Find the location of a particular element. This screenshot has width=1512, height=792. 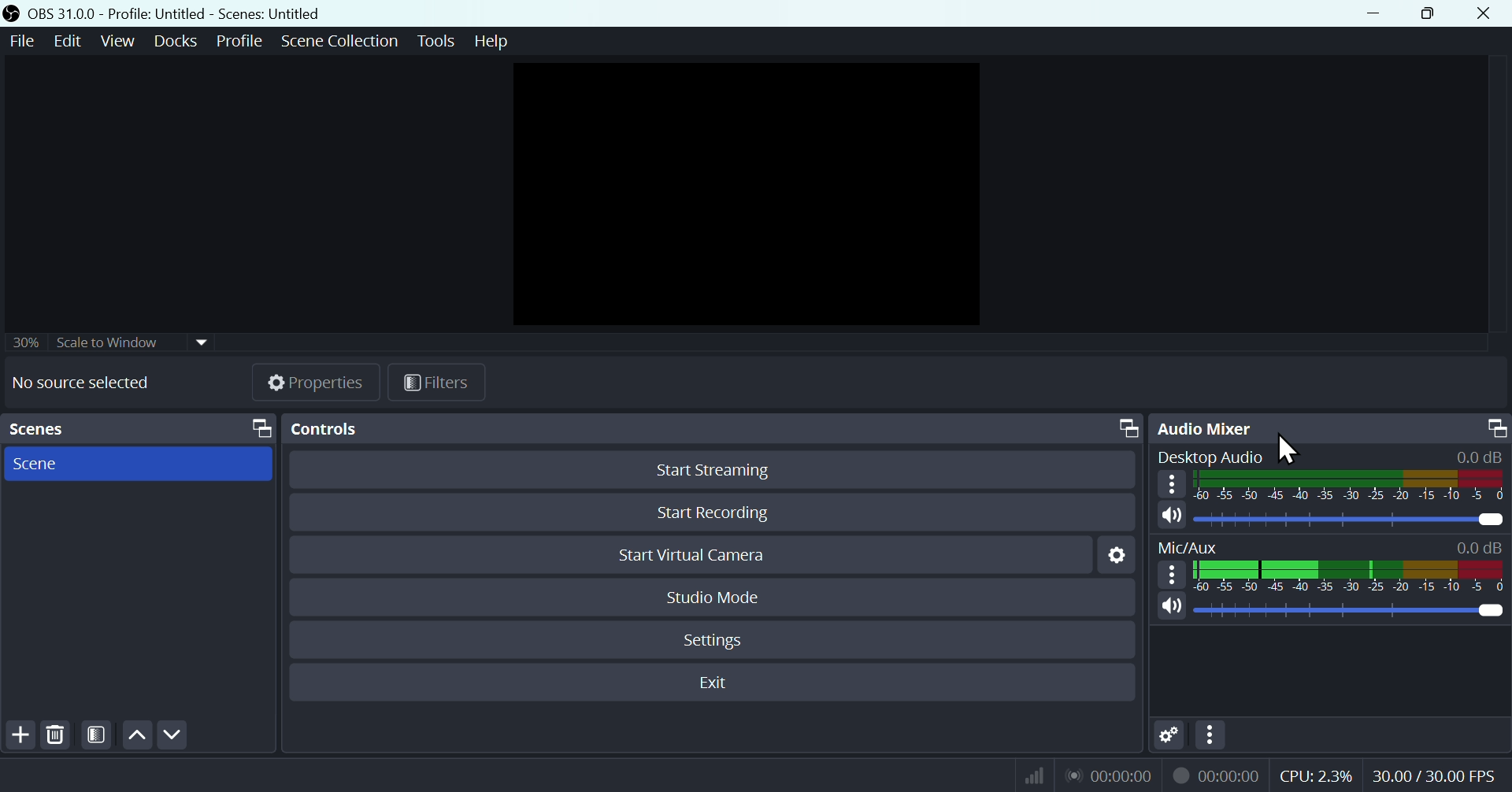

Properties is located at coordinates (314, 385).